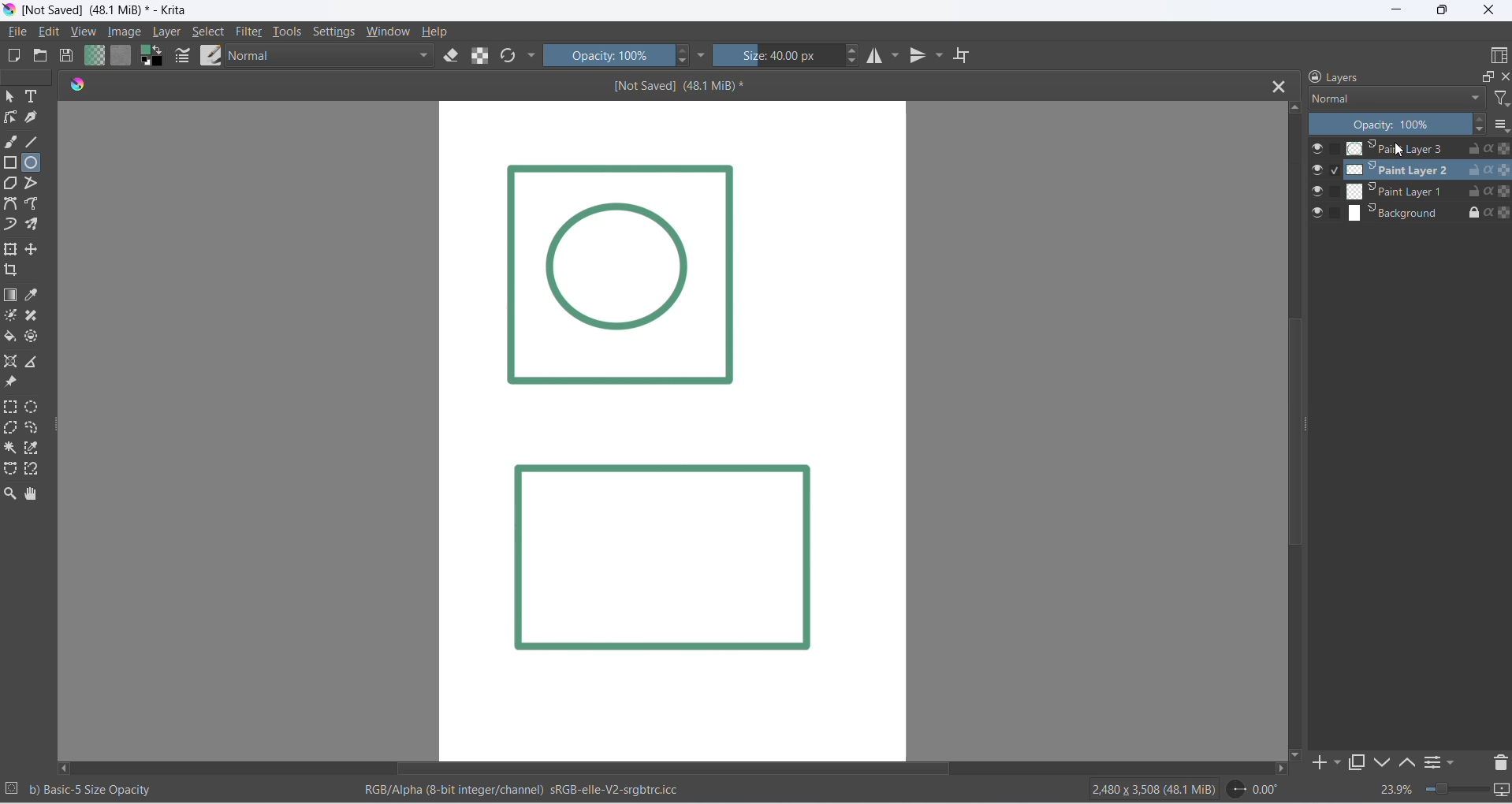  Describe the element at coordinates (13, 384) in the screenshot. I see `reference image tool` at that location.